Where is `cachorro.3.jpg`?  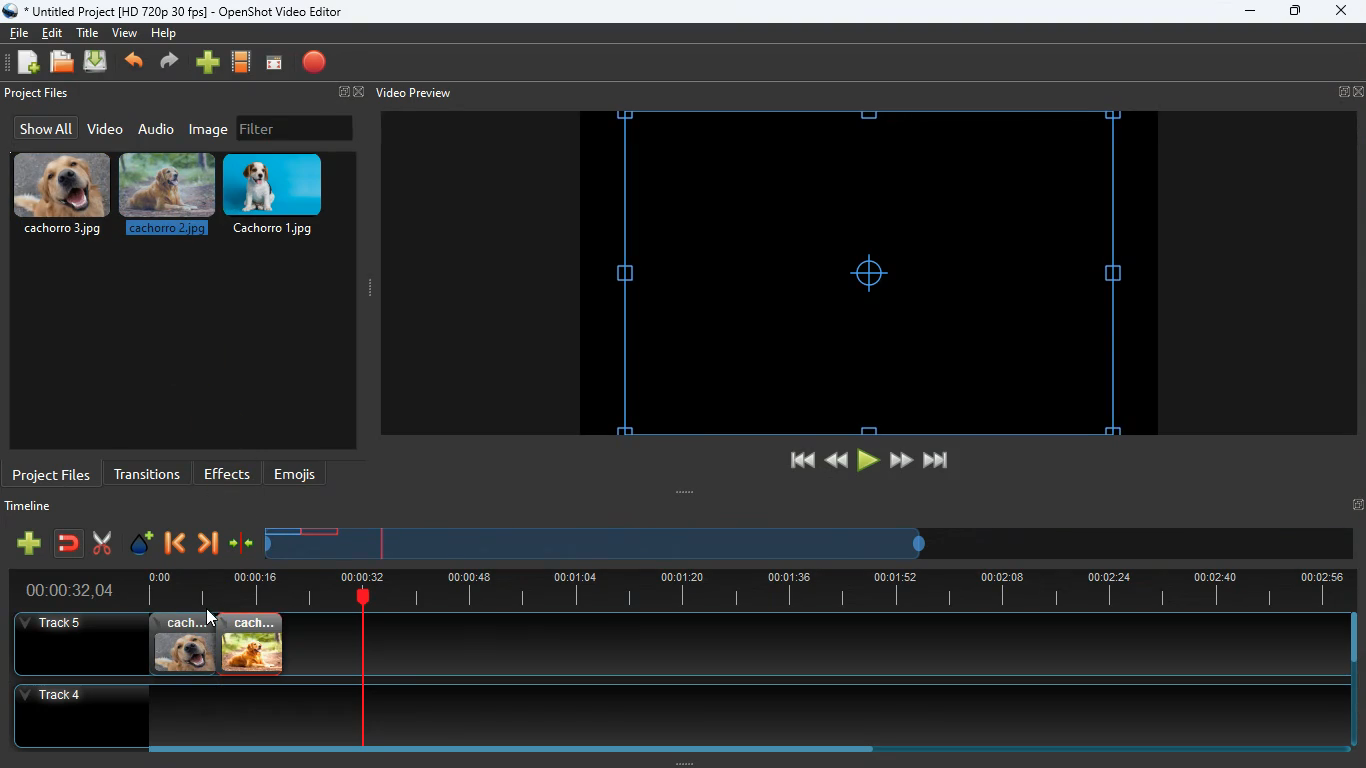 cachorro.3.jpg is located at coordinates (62, 195).